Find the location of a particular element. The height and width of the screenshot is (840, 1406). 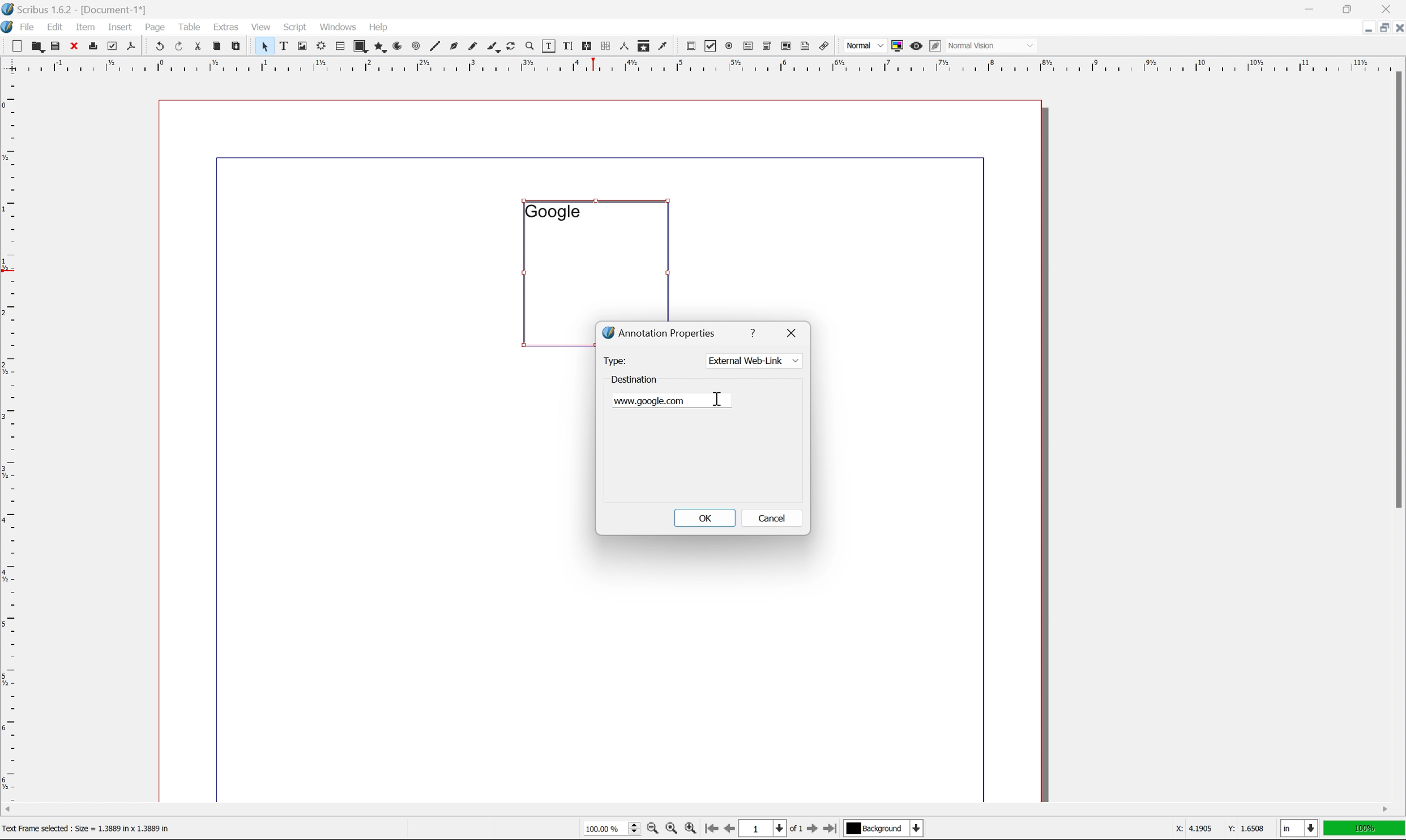

file is located at coordinates (28, 27).